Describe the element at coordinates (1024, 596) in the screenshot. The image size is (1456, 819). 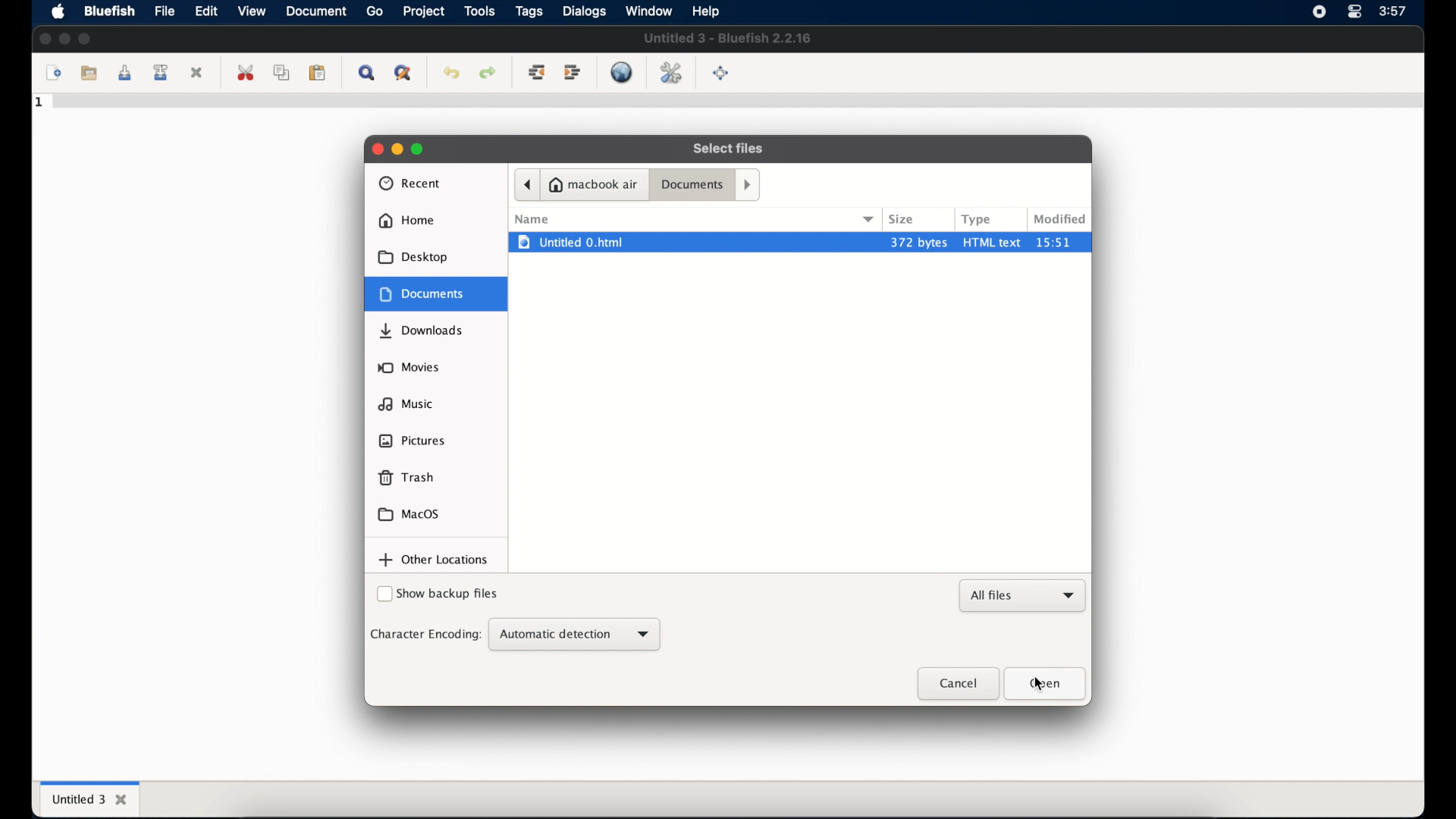
I see `all files dropdown` at that location.